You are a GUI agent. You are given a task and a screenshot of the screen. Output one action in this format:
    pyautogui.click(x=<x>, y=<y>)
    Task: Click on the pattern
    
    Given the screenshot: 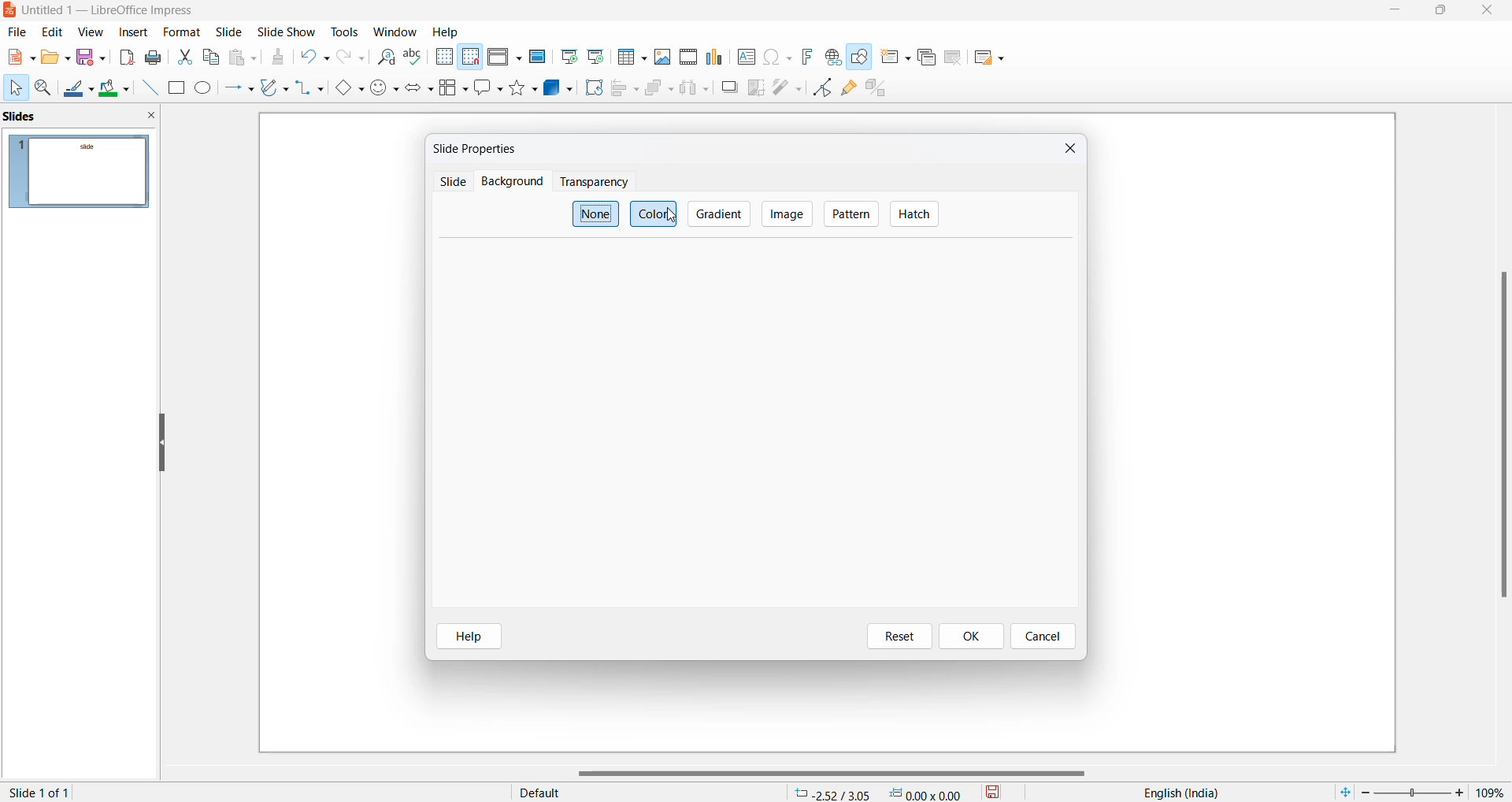 What is the action you would take?
    pyautogui.click(x=851, y=215)
    